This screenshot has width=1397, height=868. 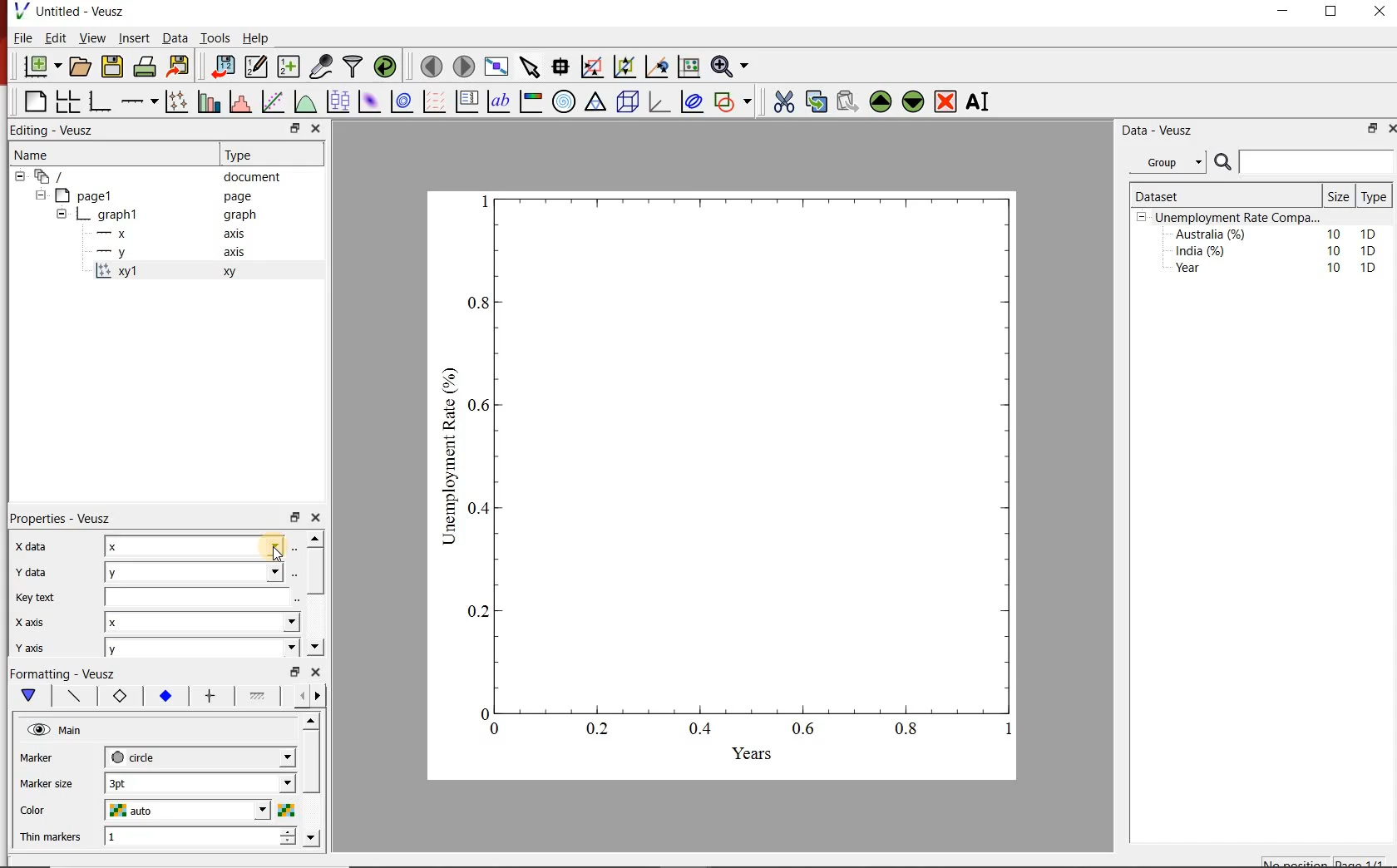 What do you see at coordinates (815, 101) in the screenshot?
I see `copy the widgets` at bounding box center [815, 101].